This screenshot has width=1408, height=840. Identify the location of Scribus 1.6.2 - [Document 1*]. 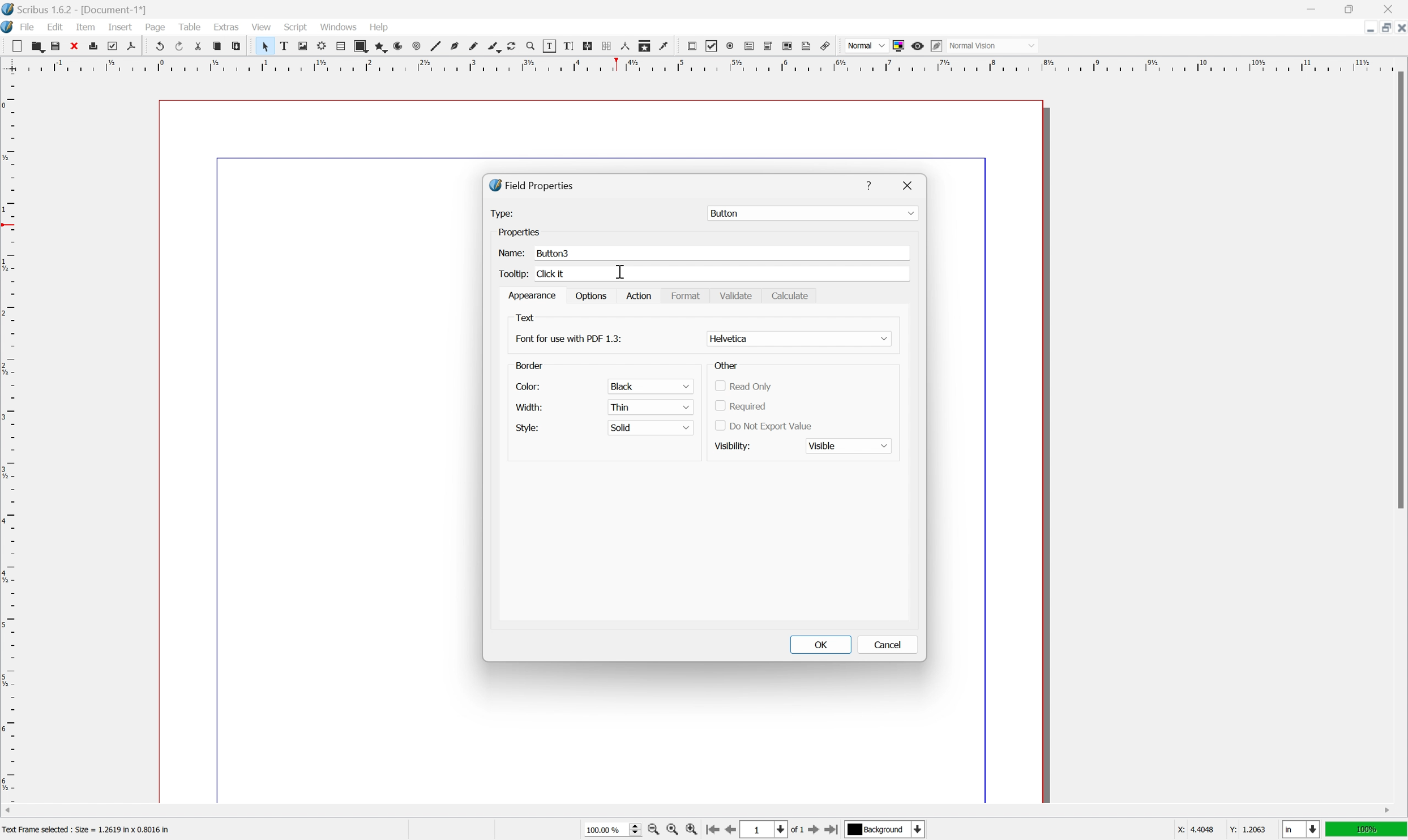
(88, 11).